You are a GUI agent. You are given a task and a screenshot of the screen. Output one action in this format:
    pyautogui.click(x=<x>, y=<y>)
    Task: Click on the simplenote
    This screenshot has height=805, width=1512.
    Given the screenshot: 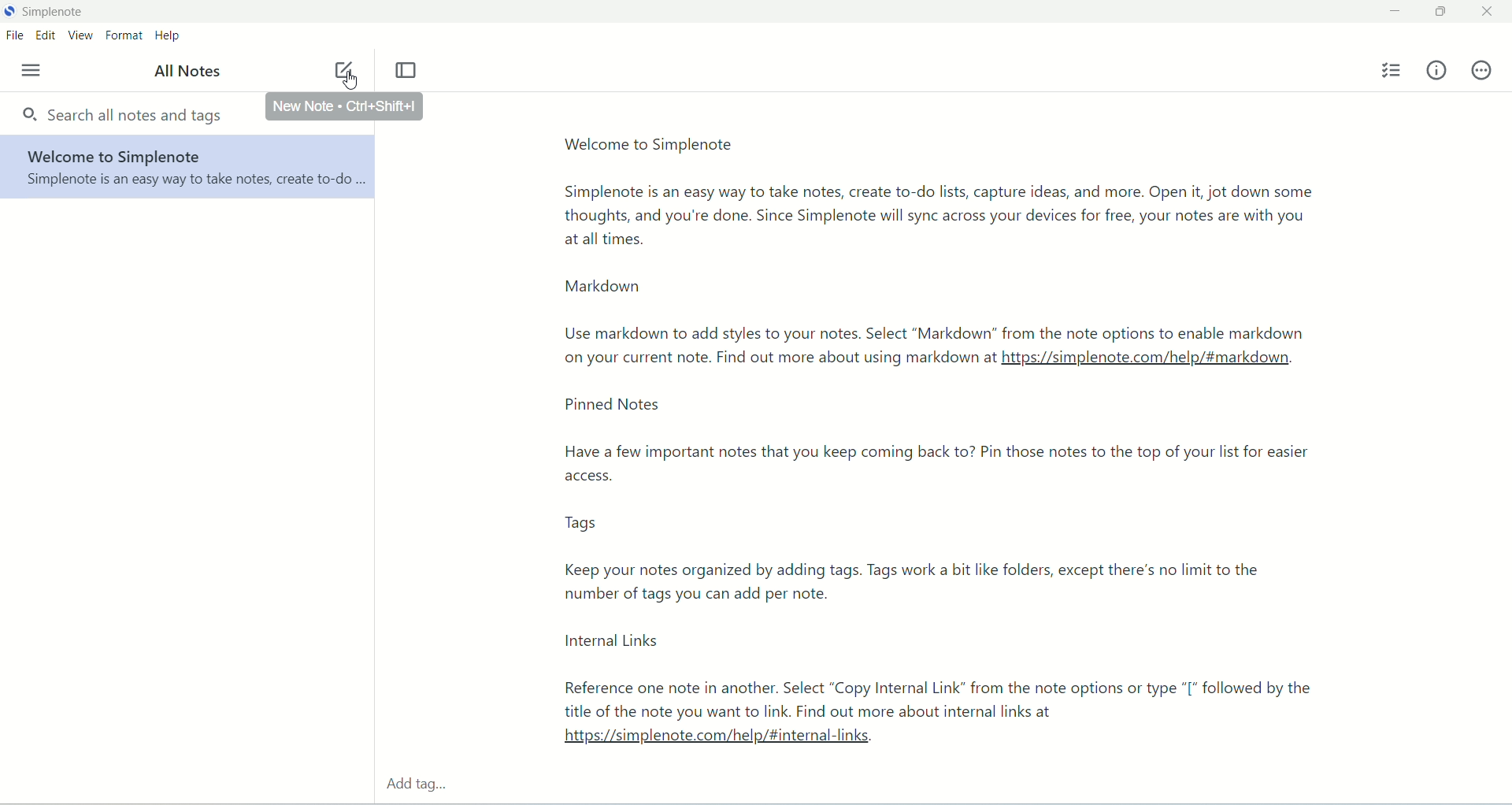 What is the action you would take?
    pyautogui.click(x=54, y=14)
    